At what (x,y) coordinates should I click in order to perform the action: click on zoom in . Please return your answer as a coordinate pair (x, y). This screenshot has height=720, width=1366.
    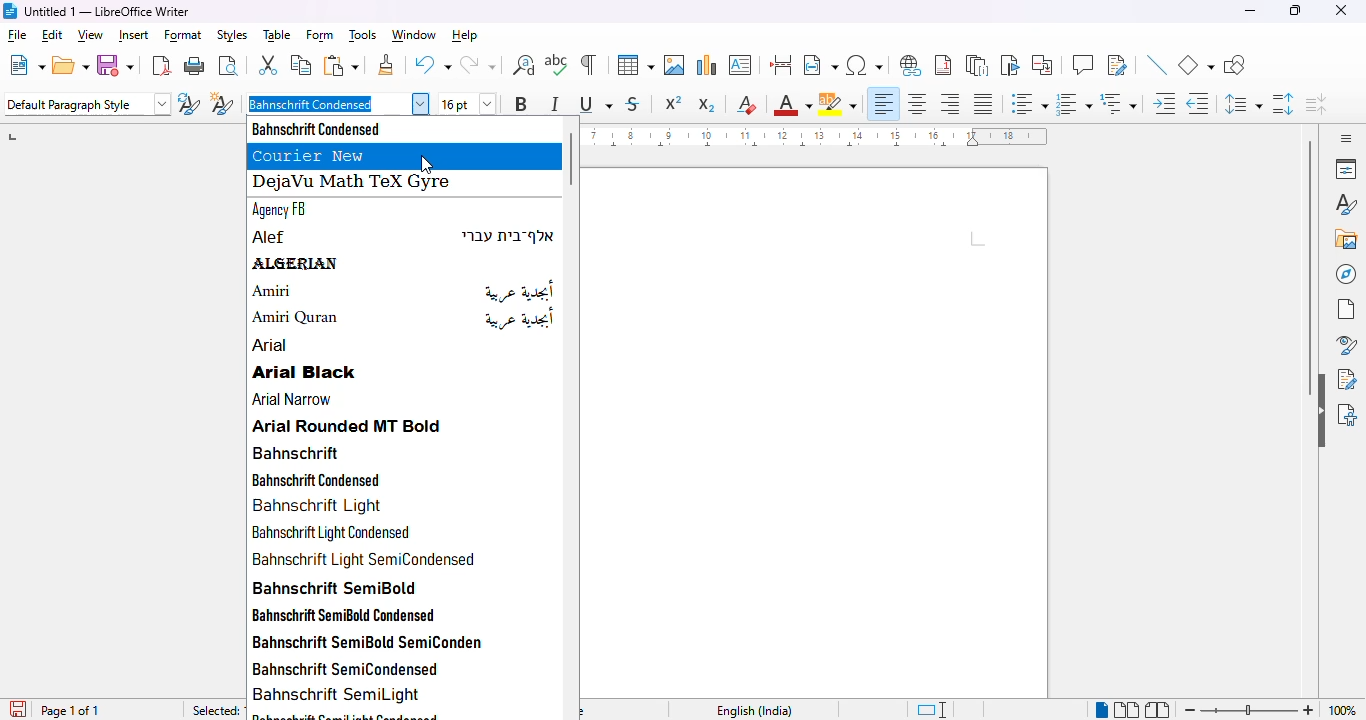
    Looking at the image, I should click on (1308, 711).